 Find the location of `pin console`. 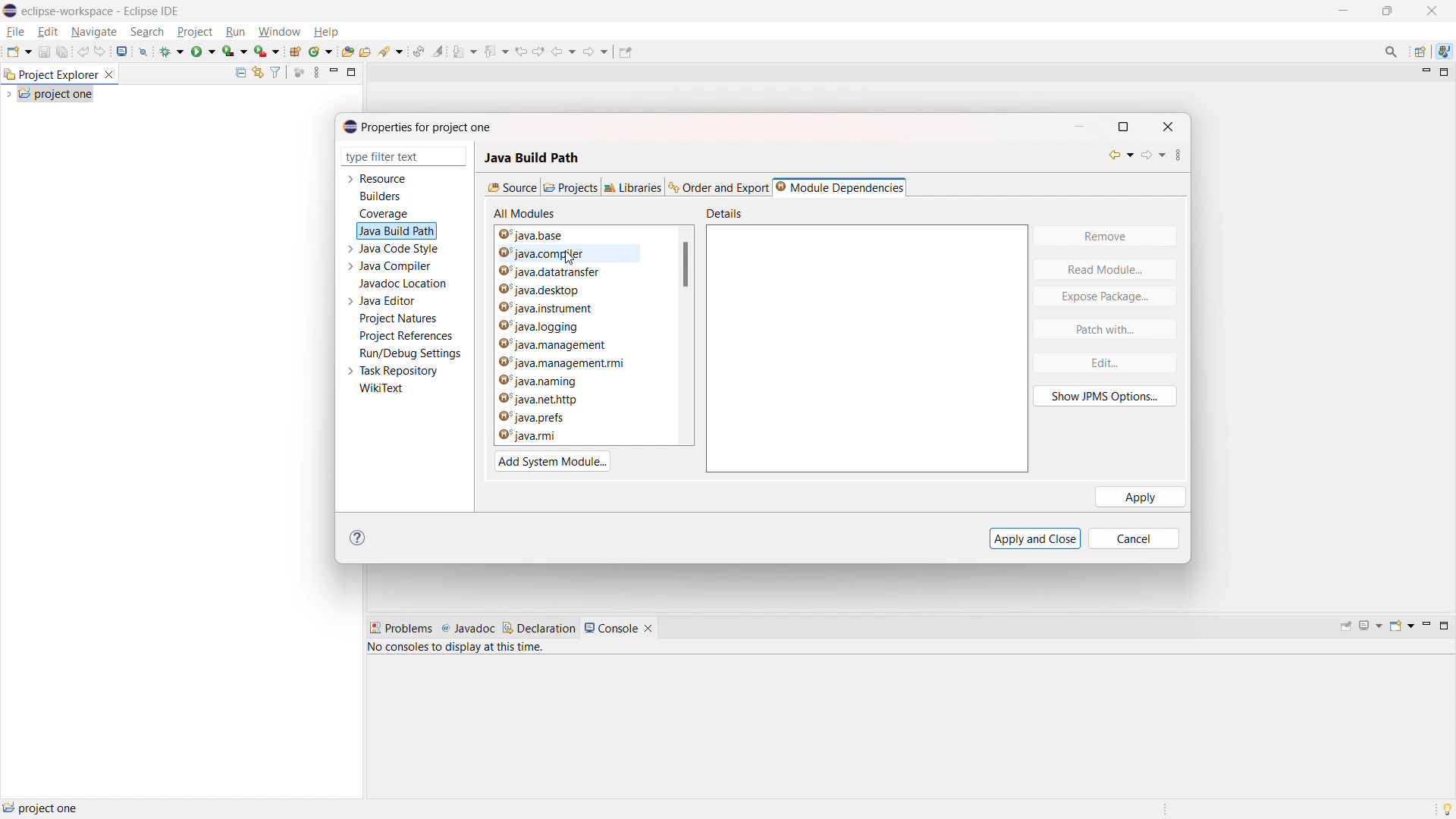

pin console is located at coordinates (1346, 627).